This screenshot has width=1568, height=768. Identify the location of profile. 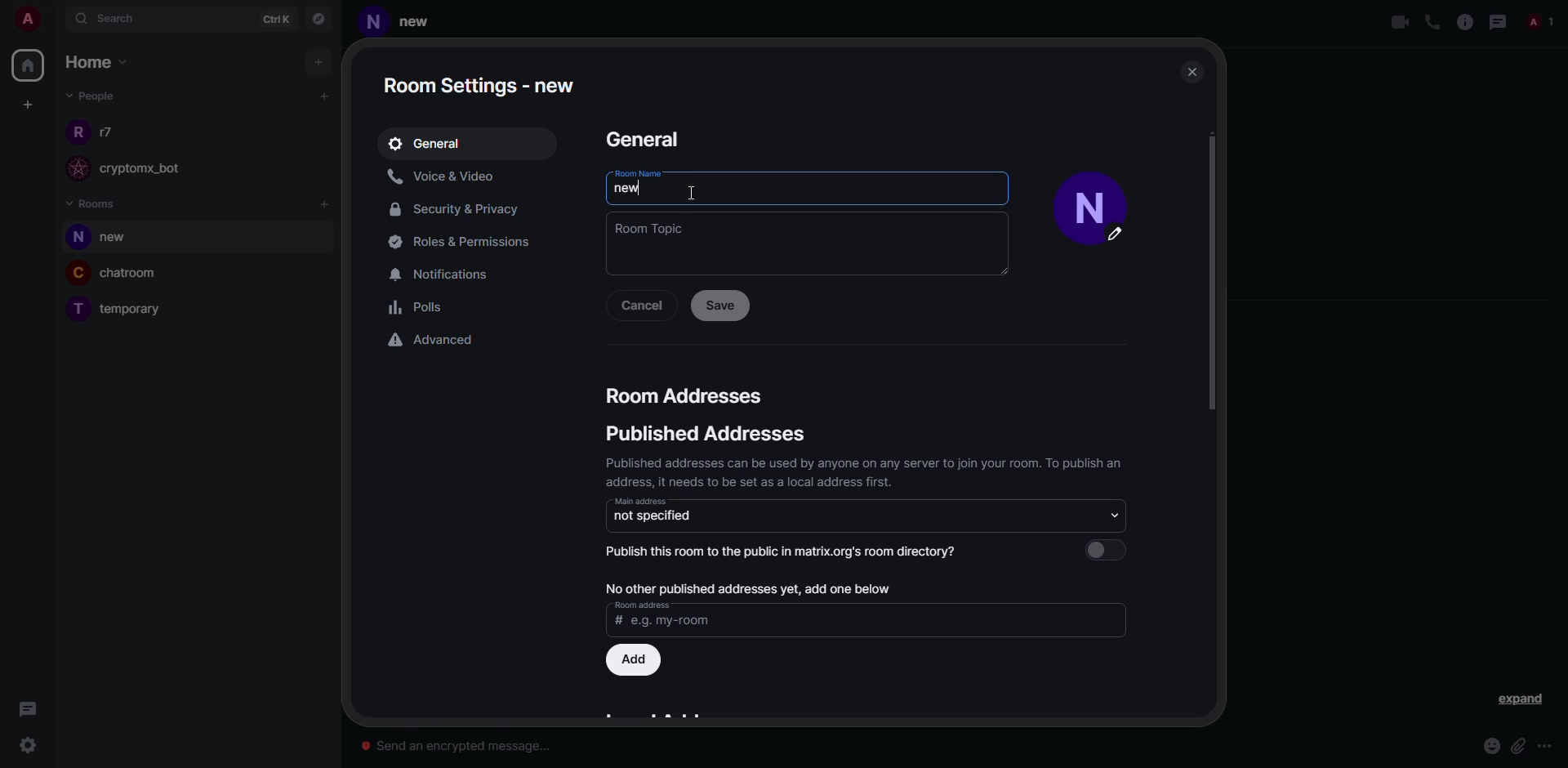
(373, 25).